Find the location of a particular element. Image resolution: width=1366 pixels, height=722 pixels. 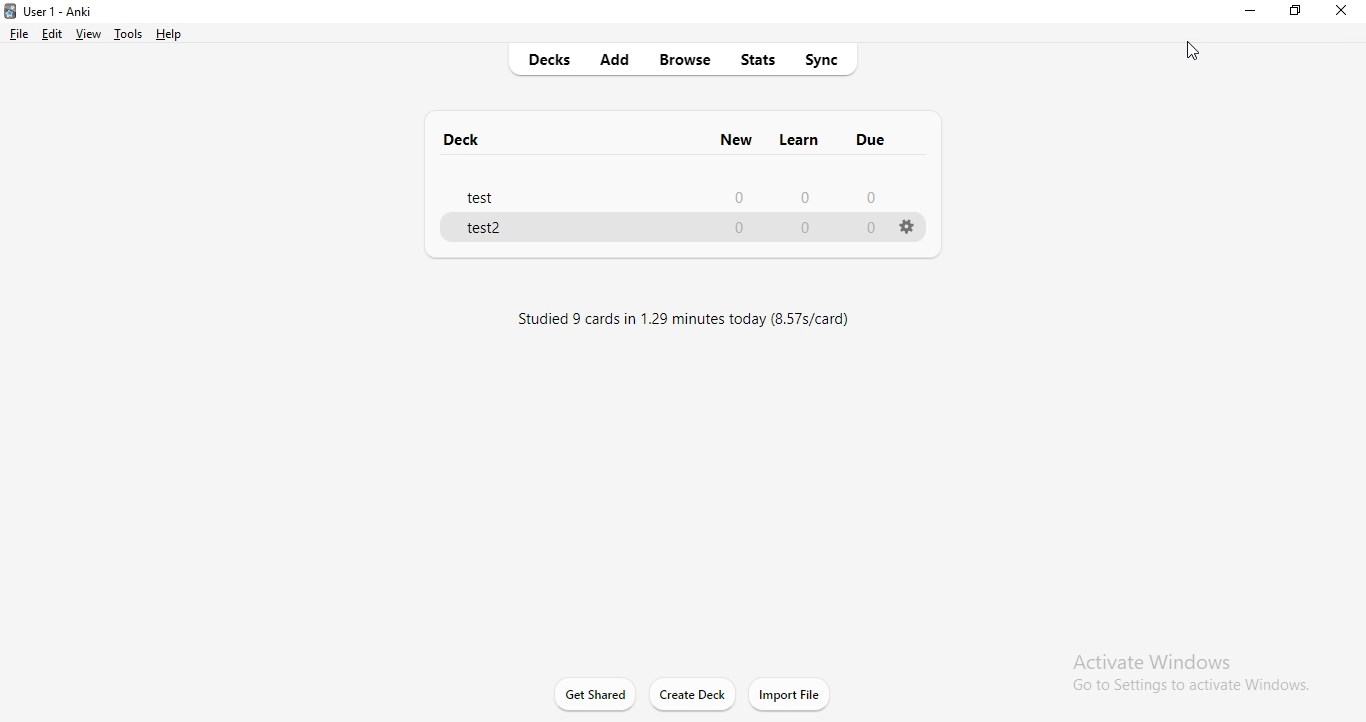

edit is located at coordinates (52, 35).